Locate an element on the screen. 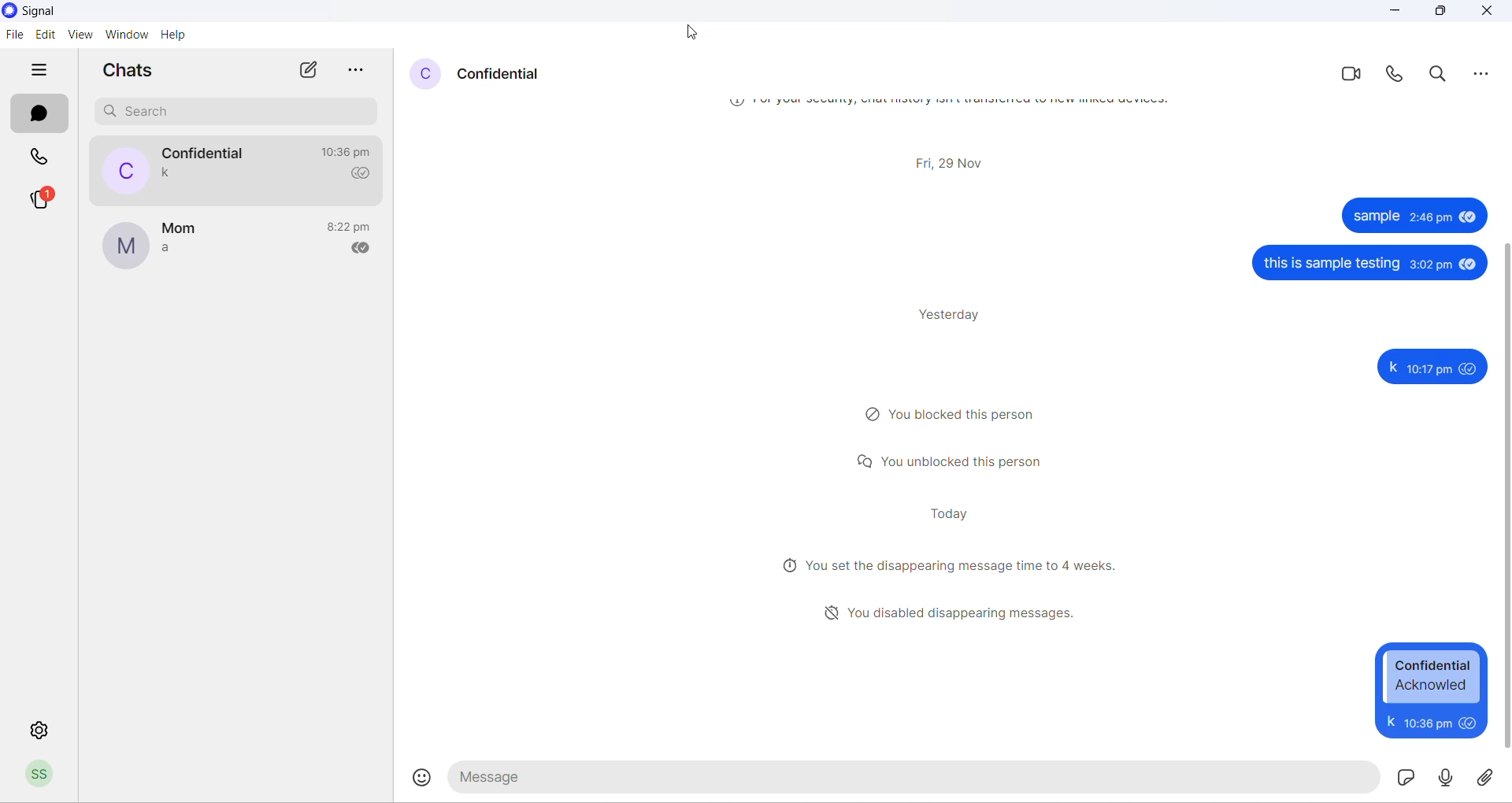 Image resolution: width=1512 pixels, height=803 pixels. seen is located at coordinates (1469, 368).